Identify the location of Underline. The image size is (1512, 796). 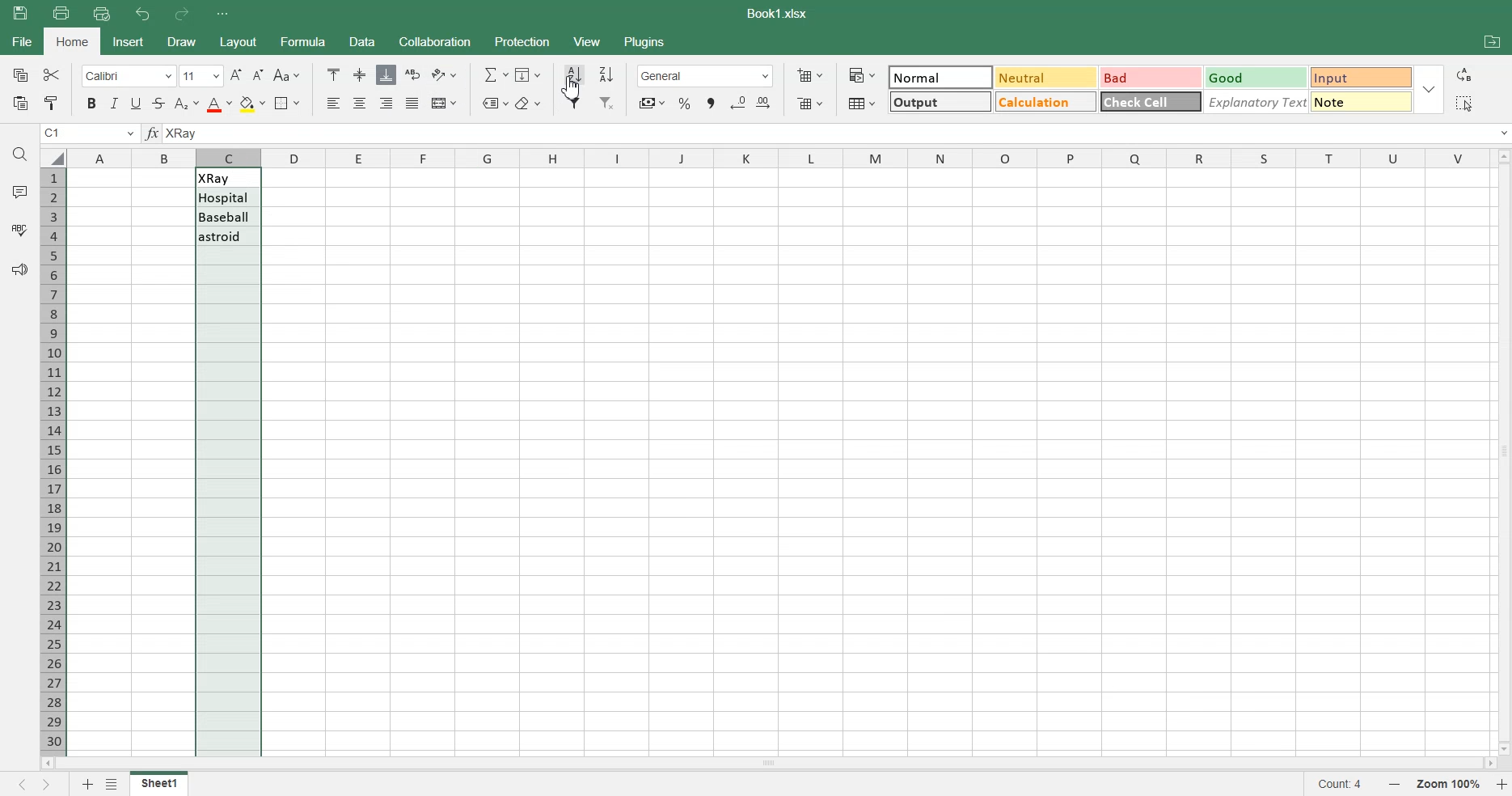
(137, 103).